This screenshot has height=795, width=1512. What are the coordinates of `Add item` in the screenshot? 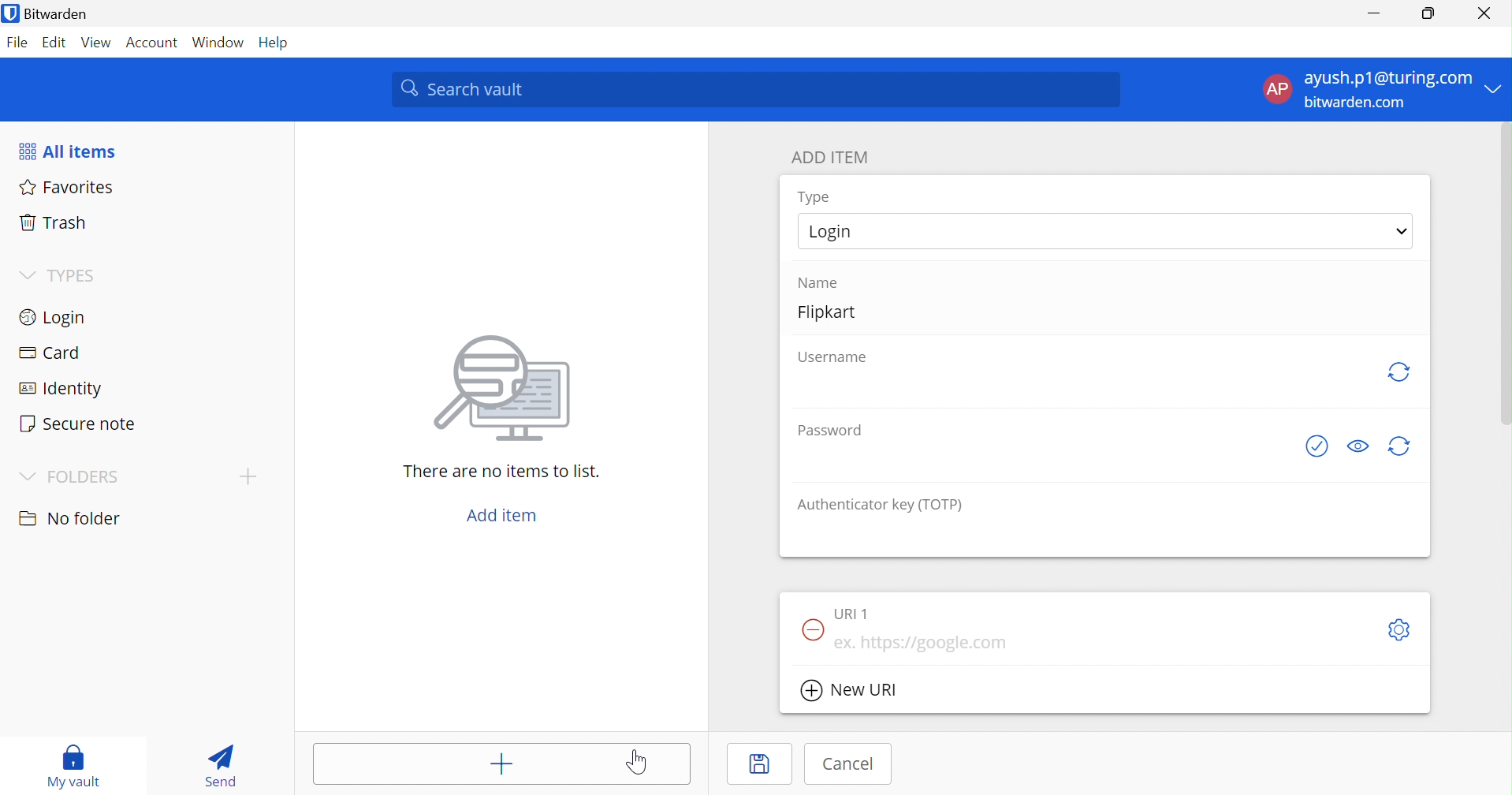 It's located at (501, 765).